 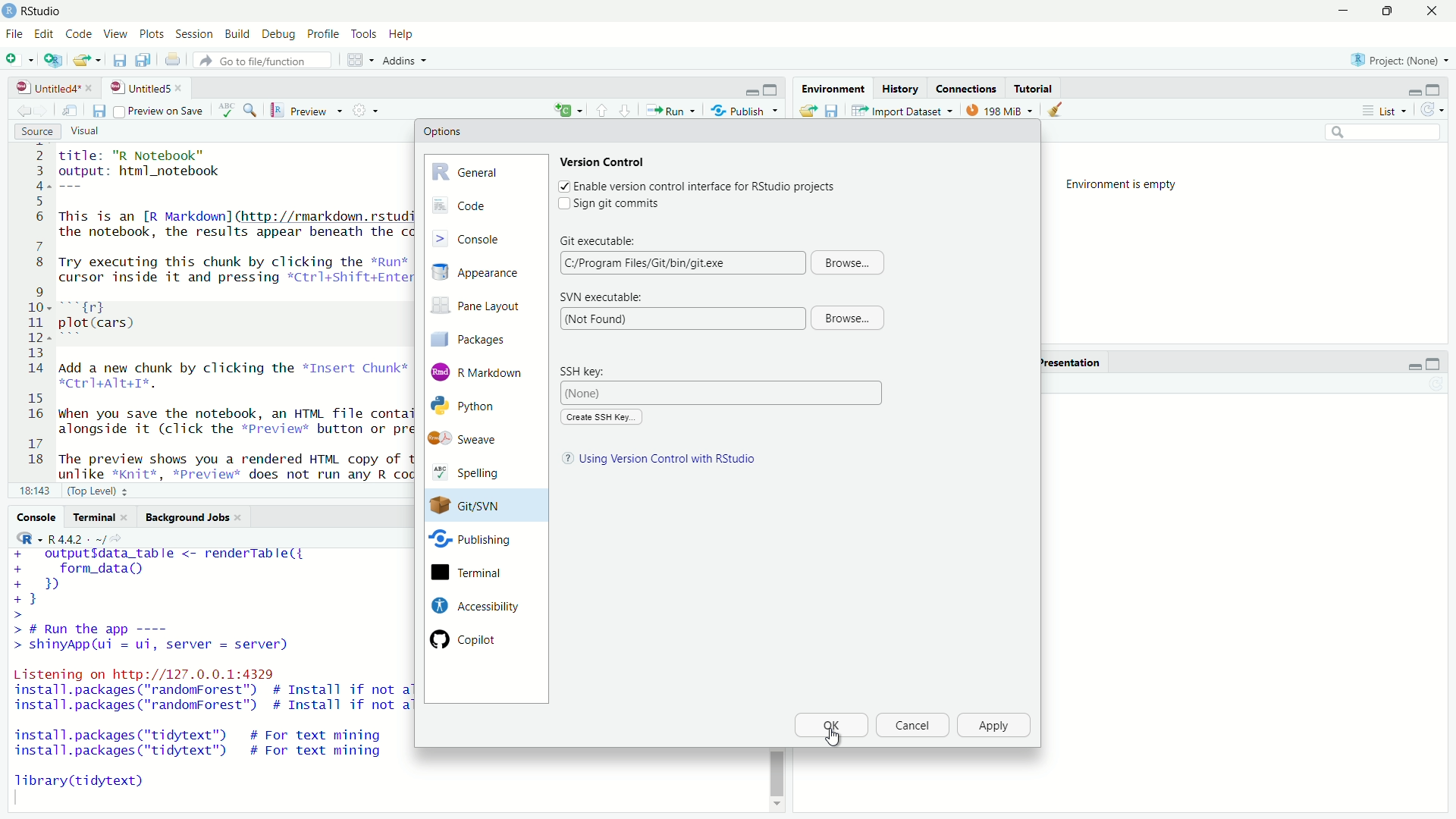 I want to click on save, so click(x=98, y=111).